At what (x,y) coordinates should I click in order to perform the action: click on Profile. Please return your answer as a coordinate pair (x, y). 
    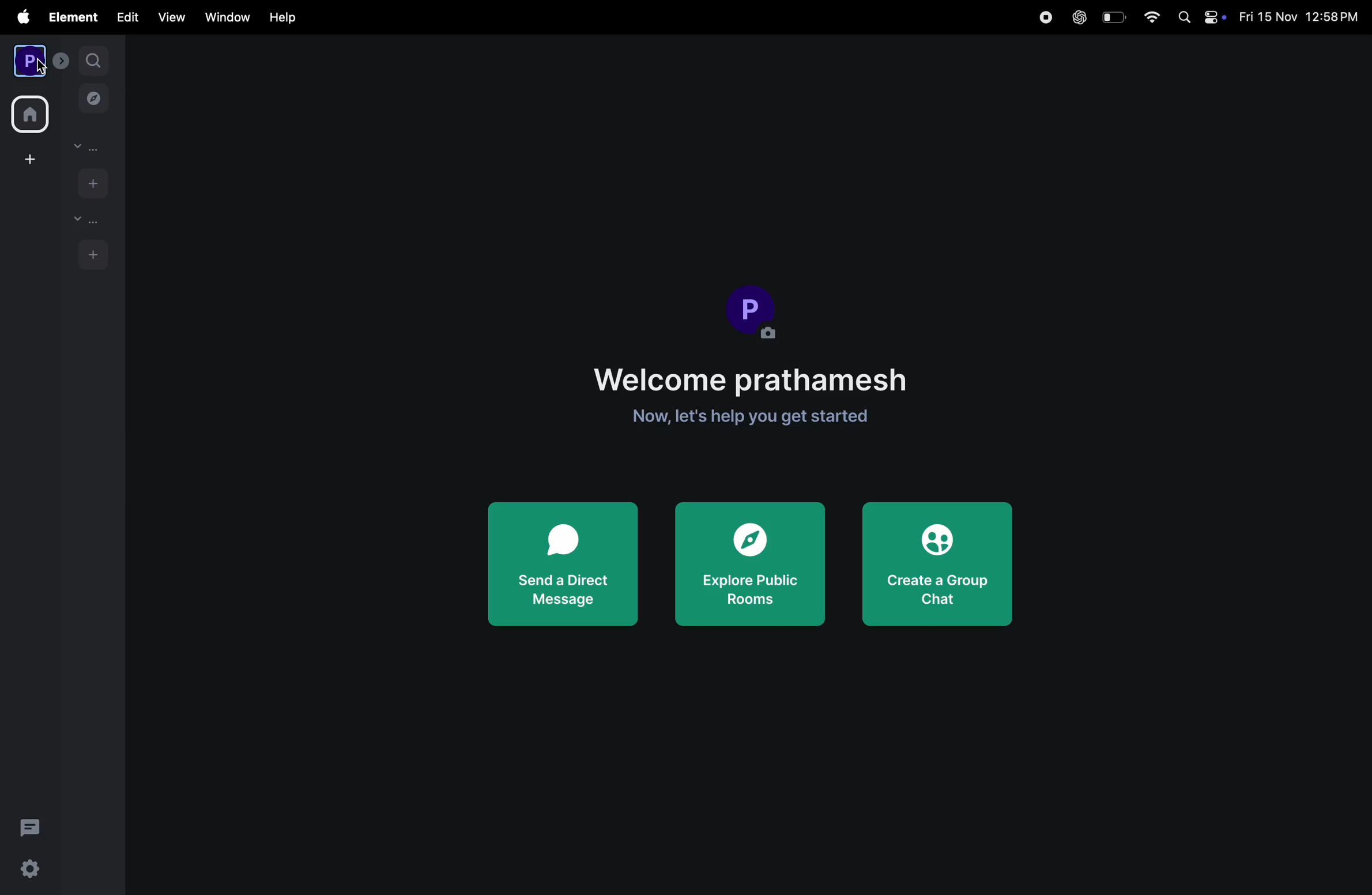
    Looking at the image, I should click on (753, 310).